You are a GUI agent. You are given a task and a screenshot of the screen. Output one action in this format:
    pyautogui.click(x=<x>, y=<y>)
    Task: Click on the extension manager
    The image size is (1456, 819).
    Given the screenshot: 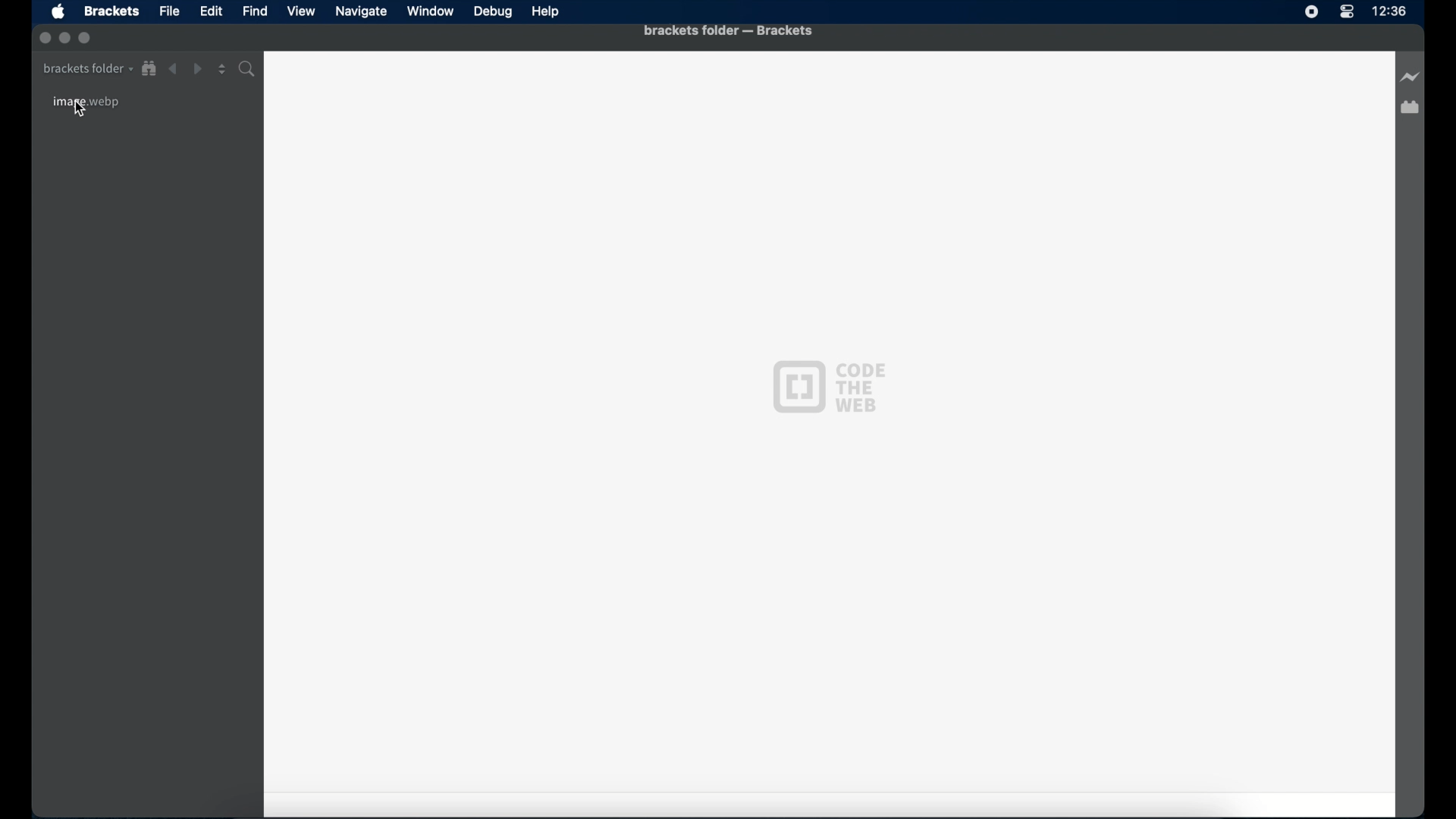 What is the action you would take?
    pyautogui.click(x=1410, y=108)
    